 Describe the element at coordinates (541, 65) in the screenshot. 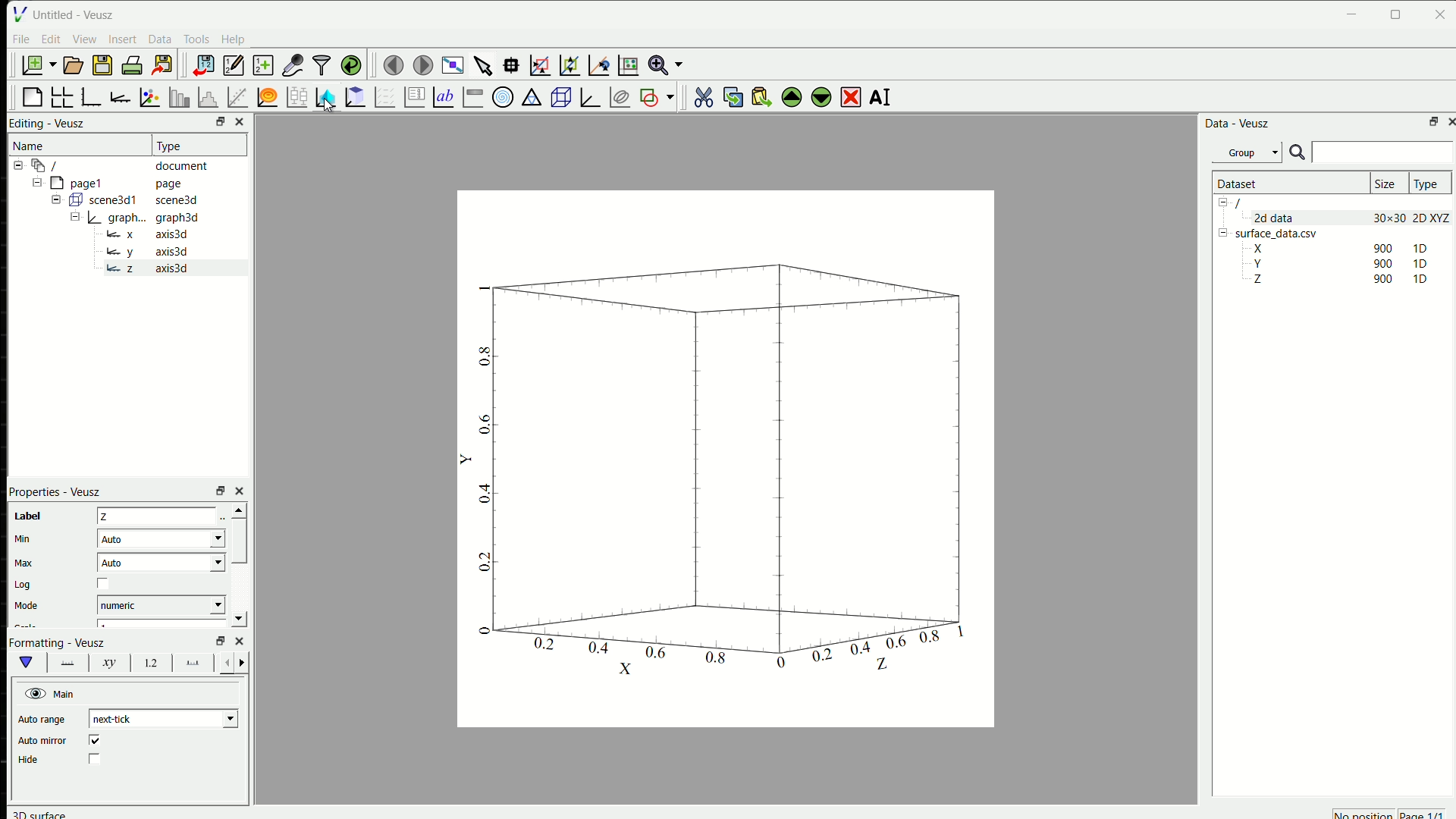

I see `draw a rectangle to zoom graph axes` at that location.